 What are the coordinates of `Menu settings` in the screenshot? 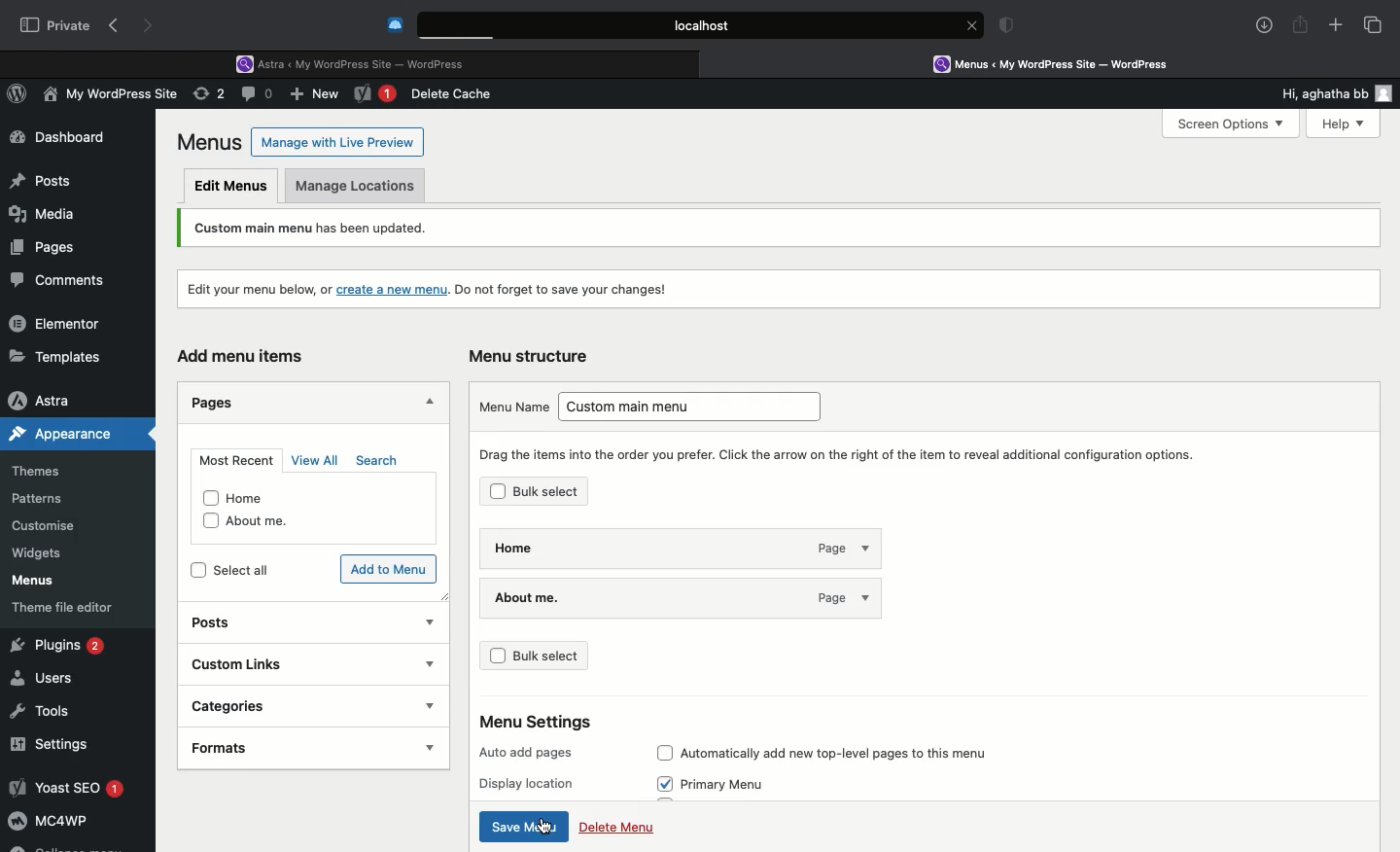 It's located at (539, 721).